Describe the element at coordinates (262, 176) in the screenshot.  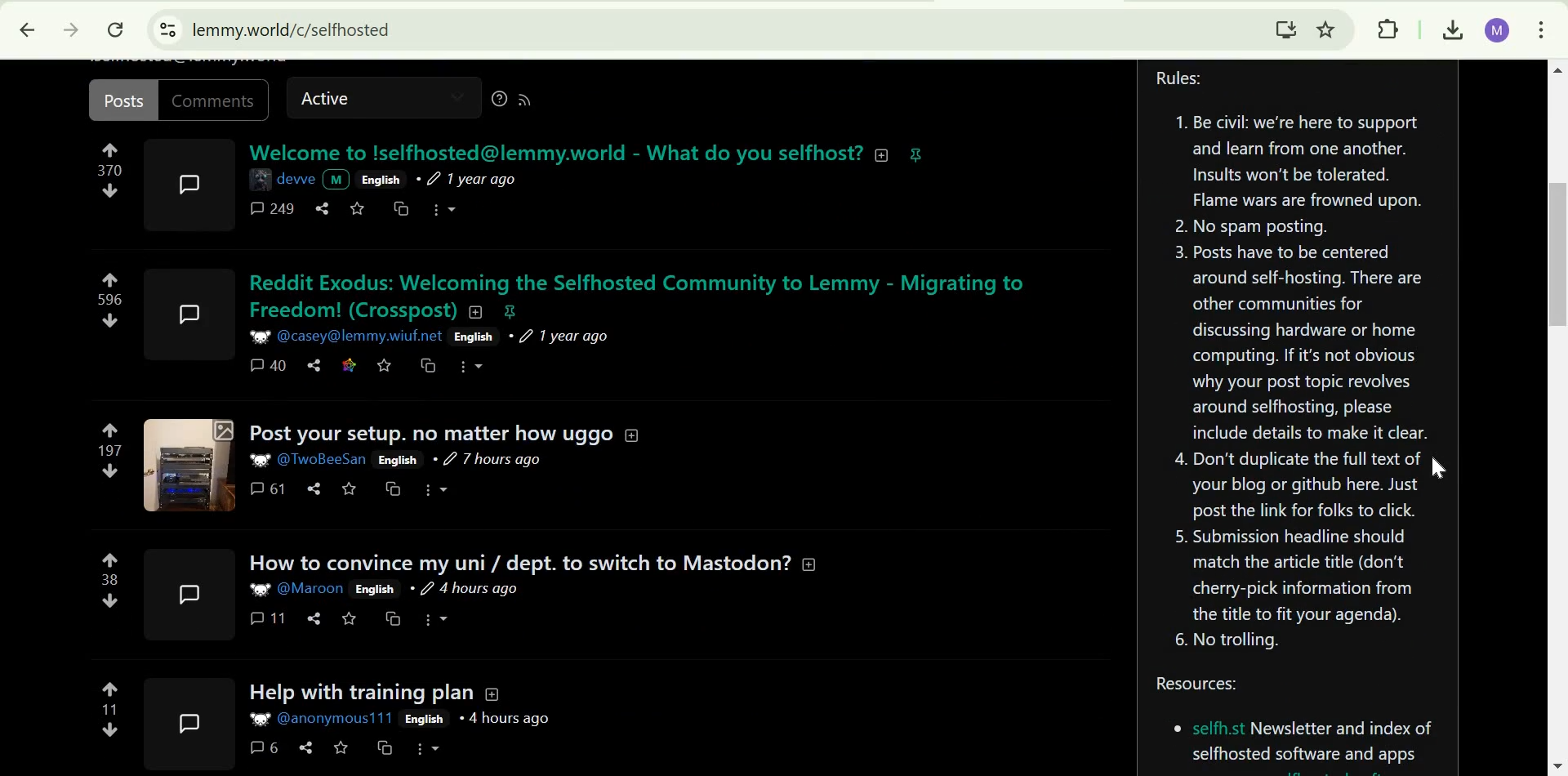
I see `image` at that location.